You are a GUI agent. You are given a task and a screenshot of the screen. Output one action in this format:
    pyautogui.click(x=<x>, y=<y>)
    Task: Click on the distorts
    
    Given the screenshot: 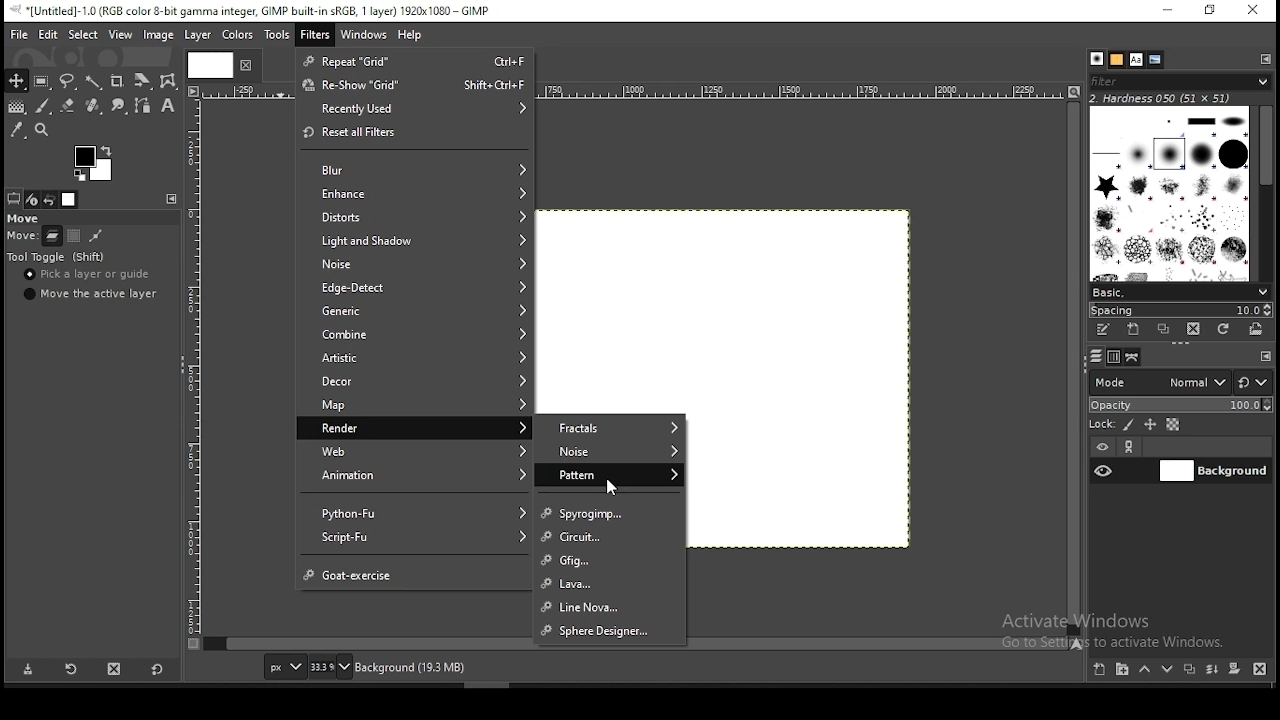 What is the action you would take?
    pyautogui.click(x=415, y=215)
    